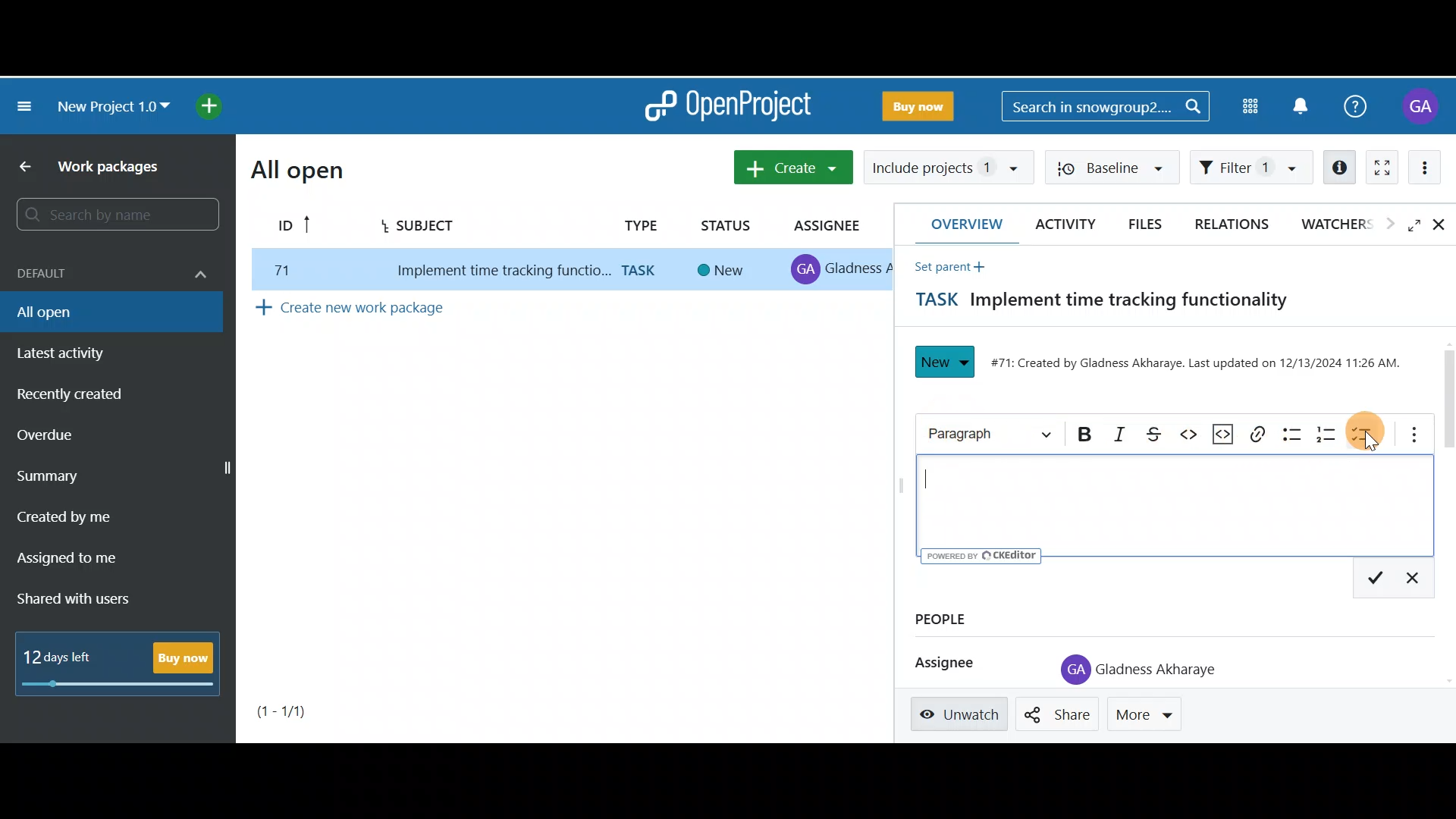  I want to click on Link, so click(1259, 432).